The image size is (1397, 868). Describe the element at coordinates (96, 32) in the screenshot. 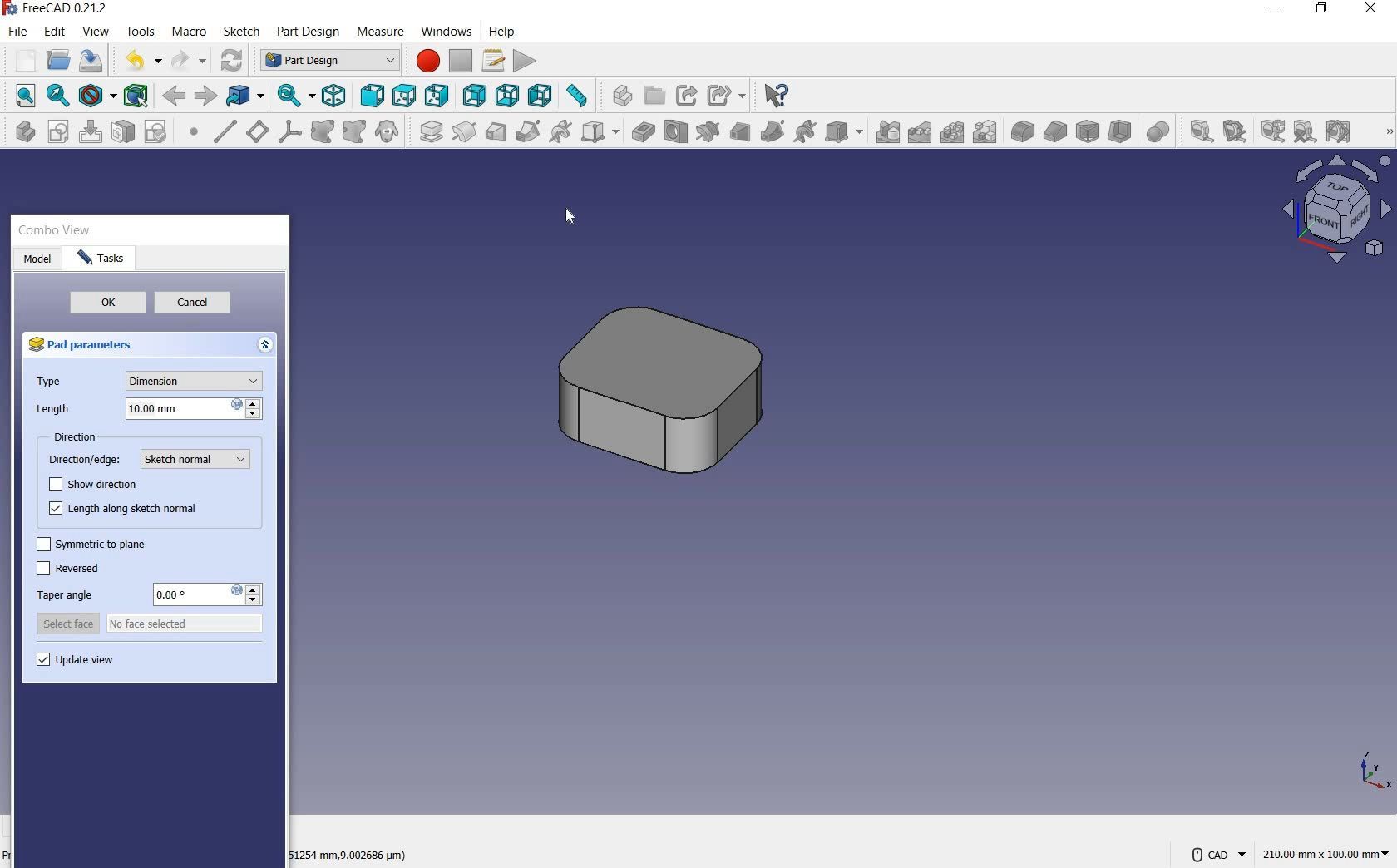

I see `view` at that location.